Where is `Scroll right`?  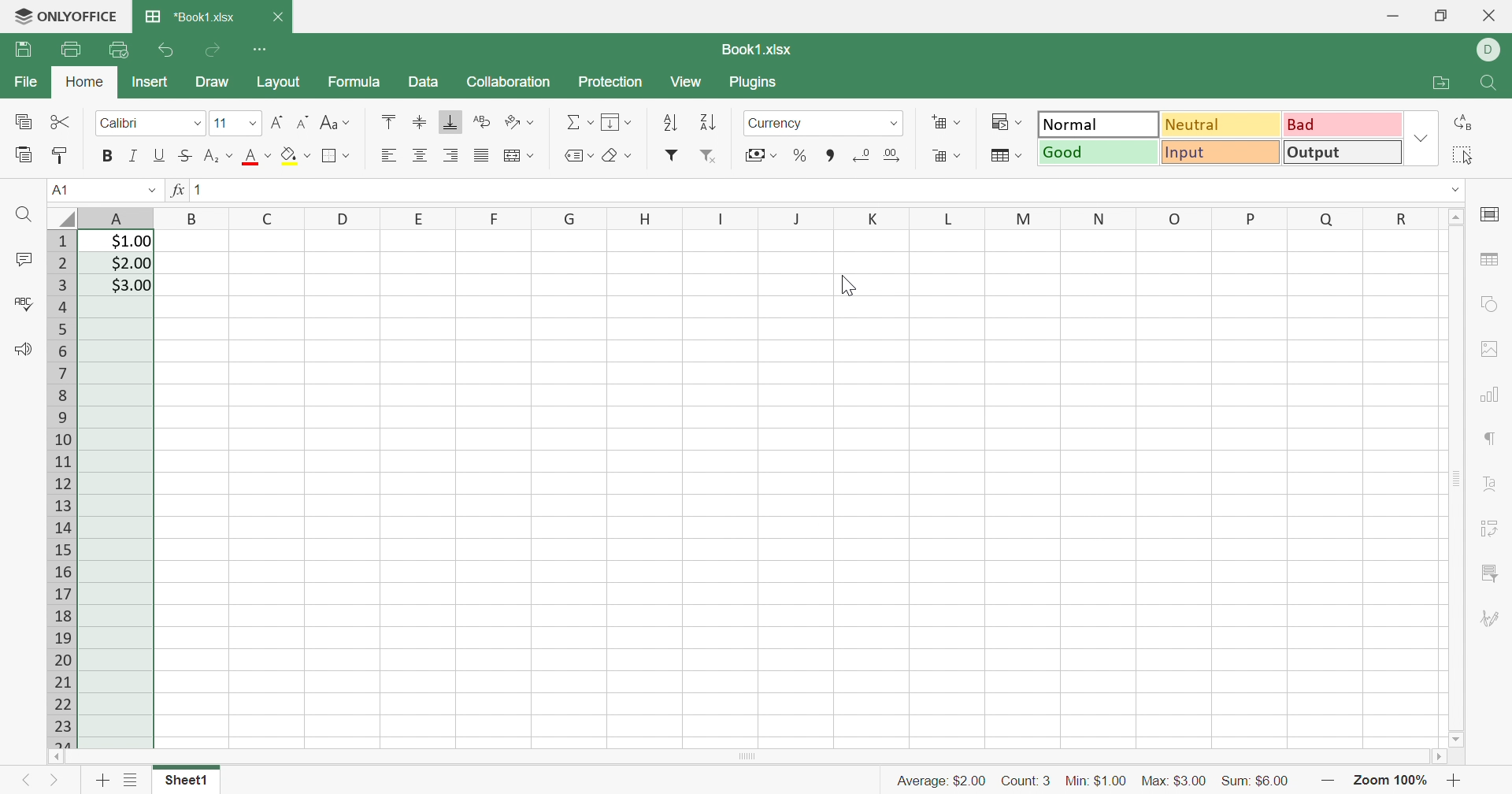 Scroll right is located at coordinates (1441, 759).